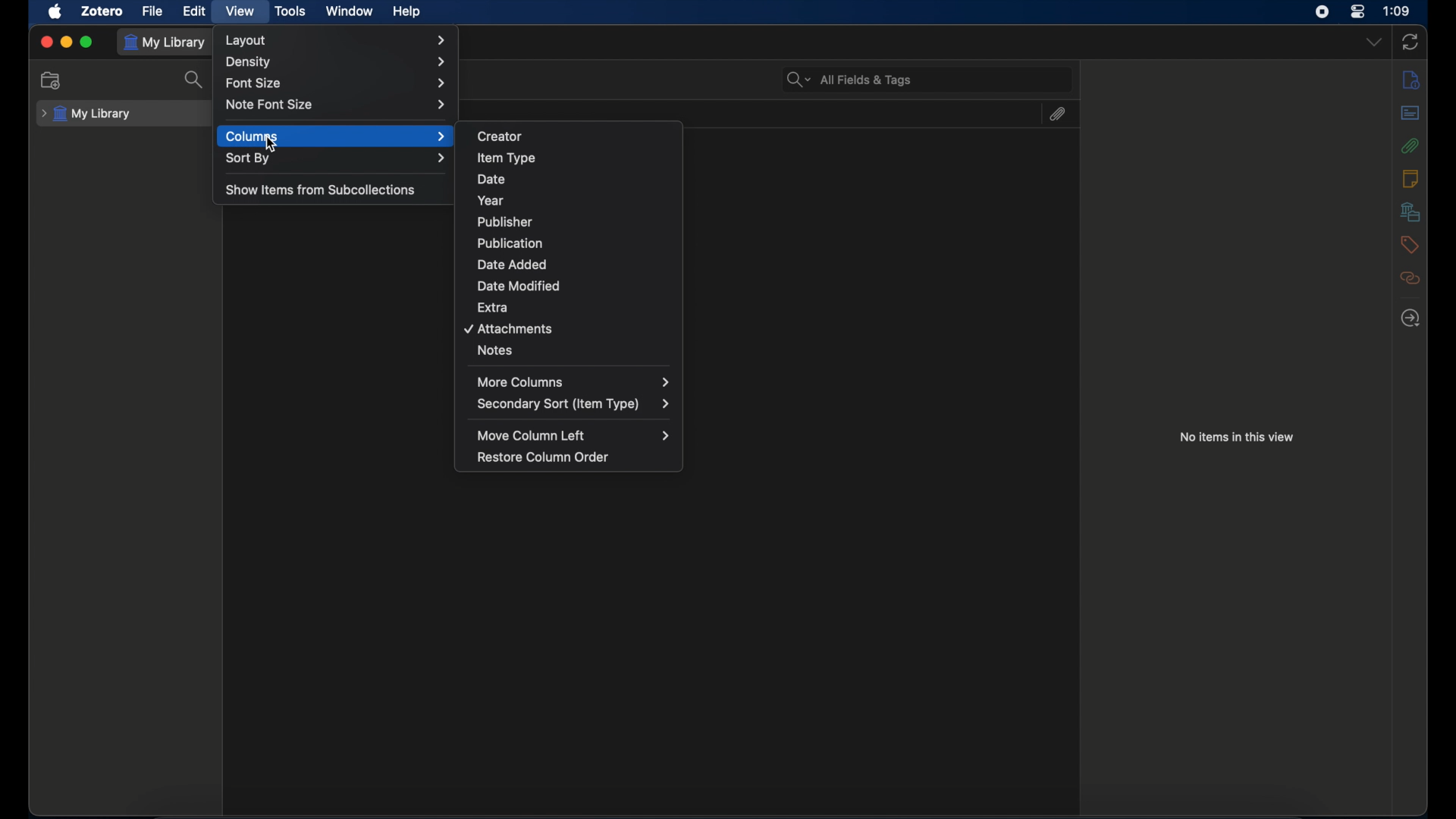 The width and height of the screenshot is (1456, 819). I want to click on attachments, so click(1409, 146).